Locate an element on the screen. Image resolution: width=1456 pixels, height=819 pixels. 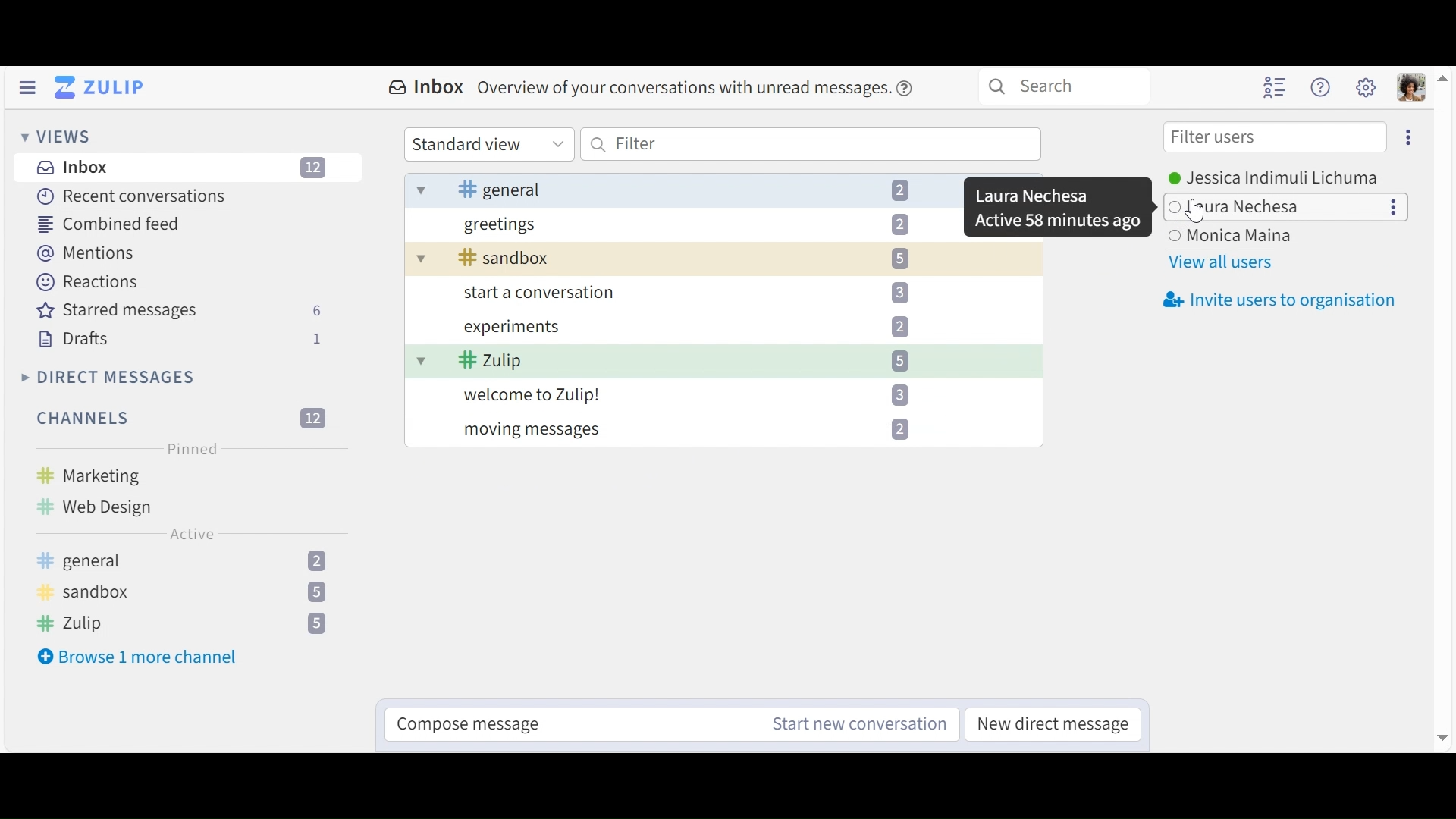
Start new conversation is located at coordinates (849, 723).